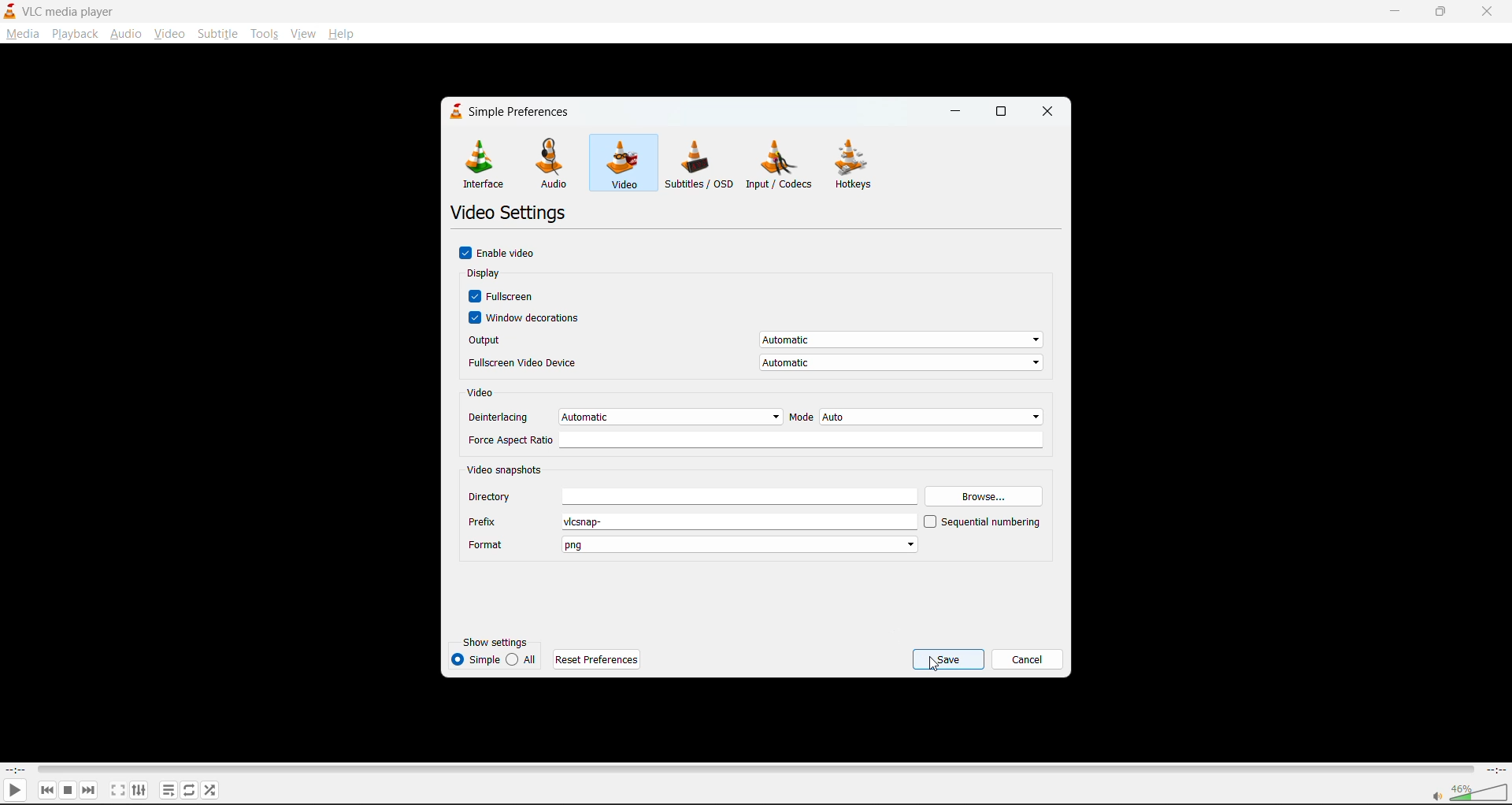 The height and width of the screenshot is (805, 1512). What do you see at coordinates (699, 165) in the screenshot?
I see `subtitles/osd` at bounding box center [699, 165].